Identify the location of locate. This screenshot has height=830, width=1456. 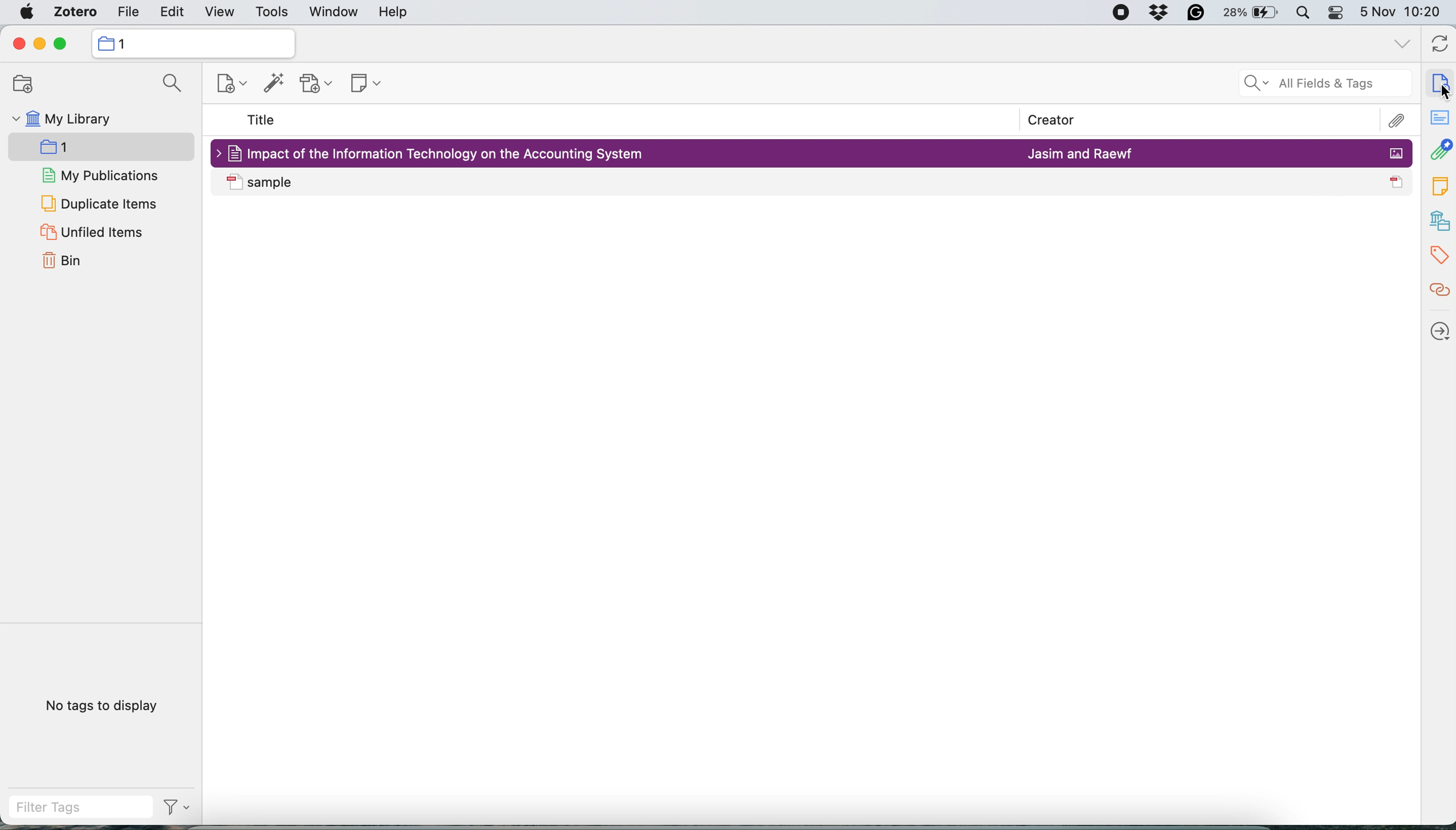
(1438, 332).